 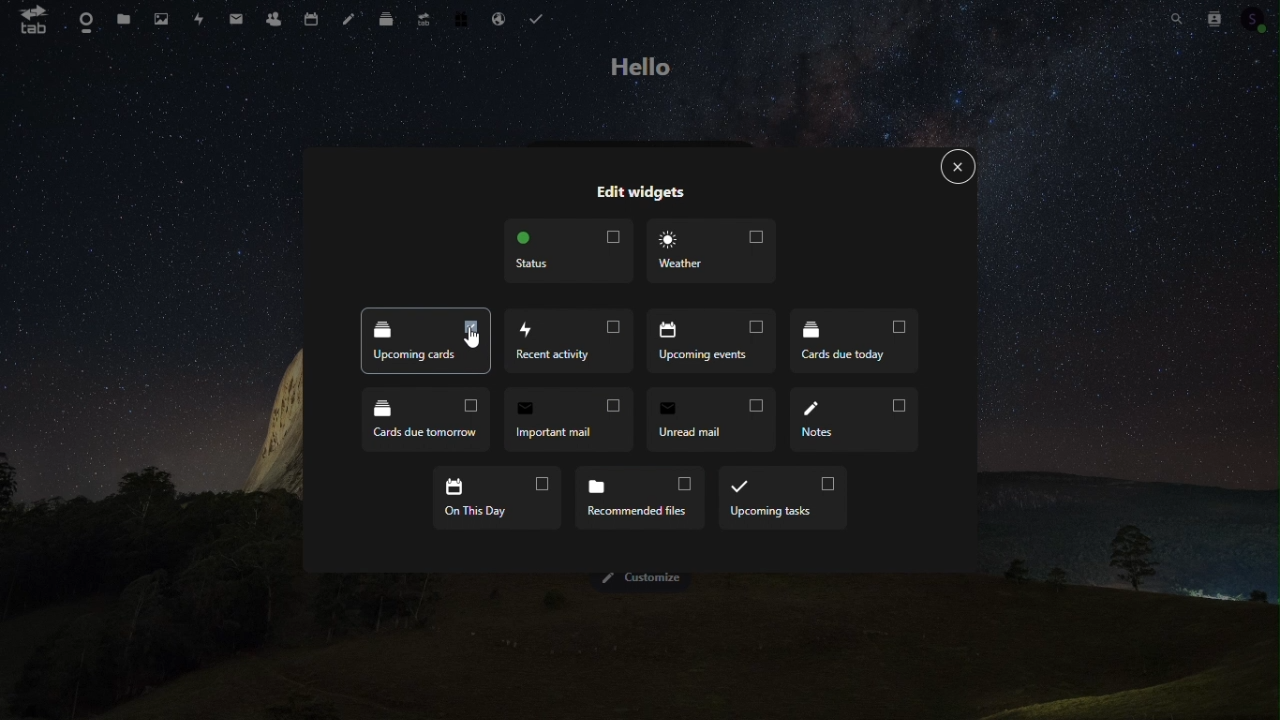 I want to click on Dashboard, so click(x=79, y=19).